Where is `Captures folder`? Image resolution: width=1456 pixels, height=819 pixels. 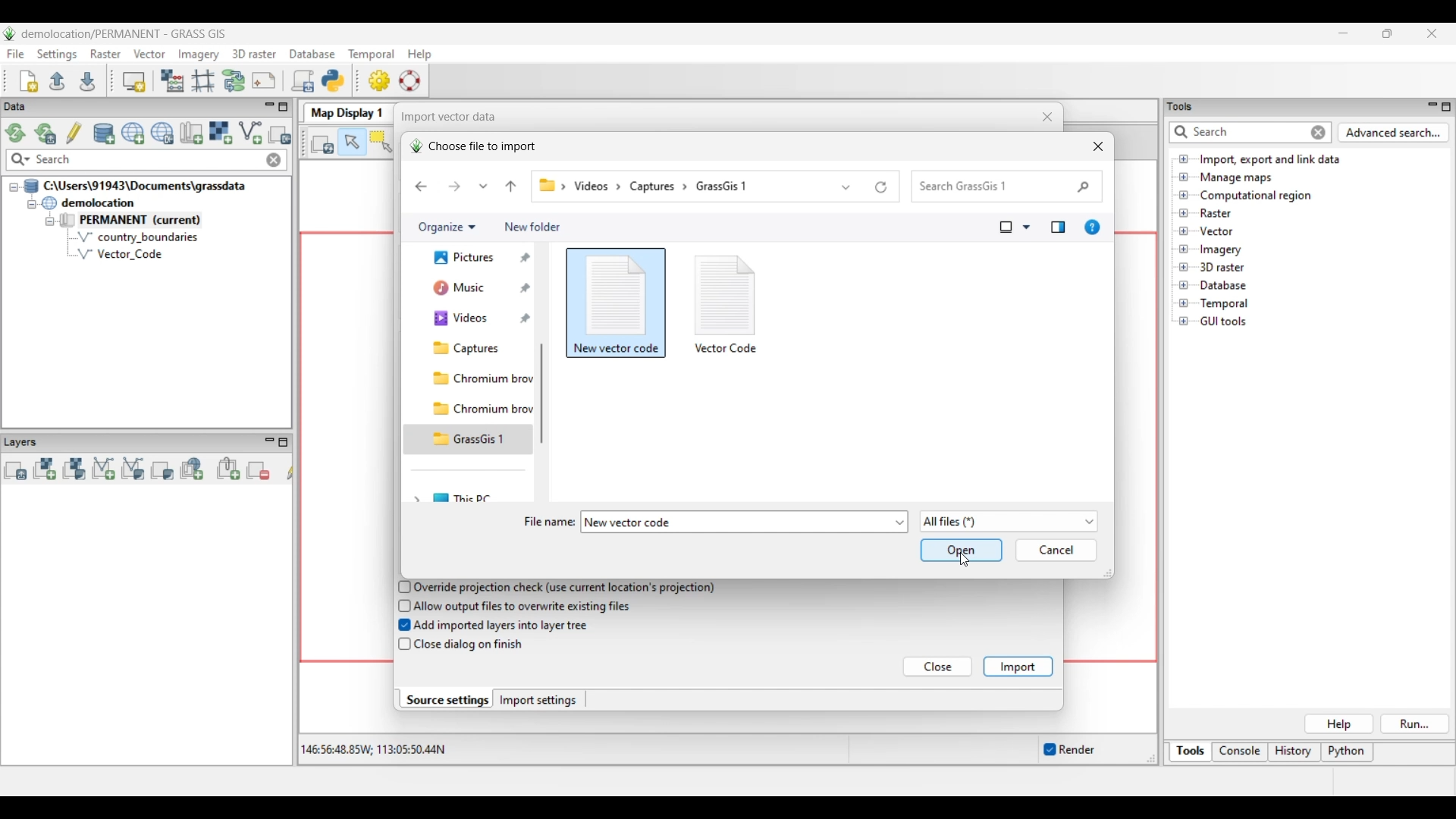 Captures folder is located at coordinates (477, 378).